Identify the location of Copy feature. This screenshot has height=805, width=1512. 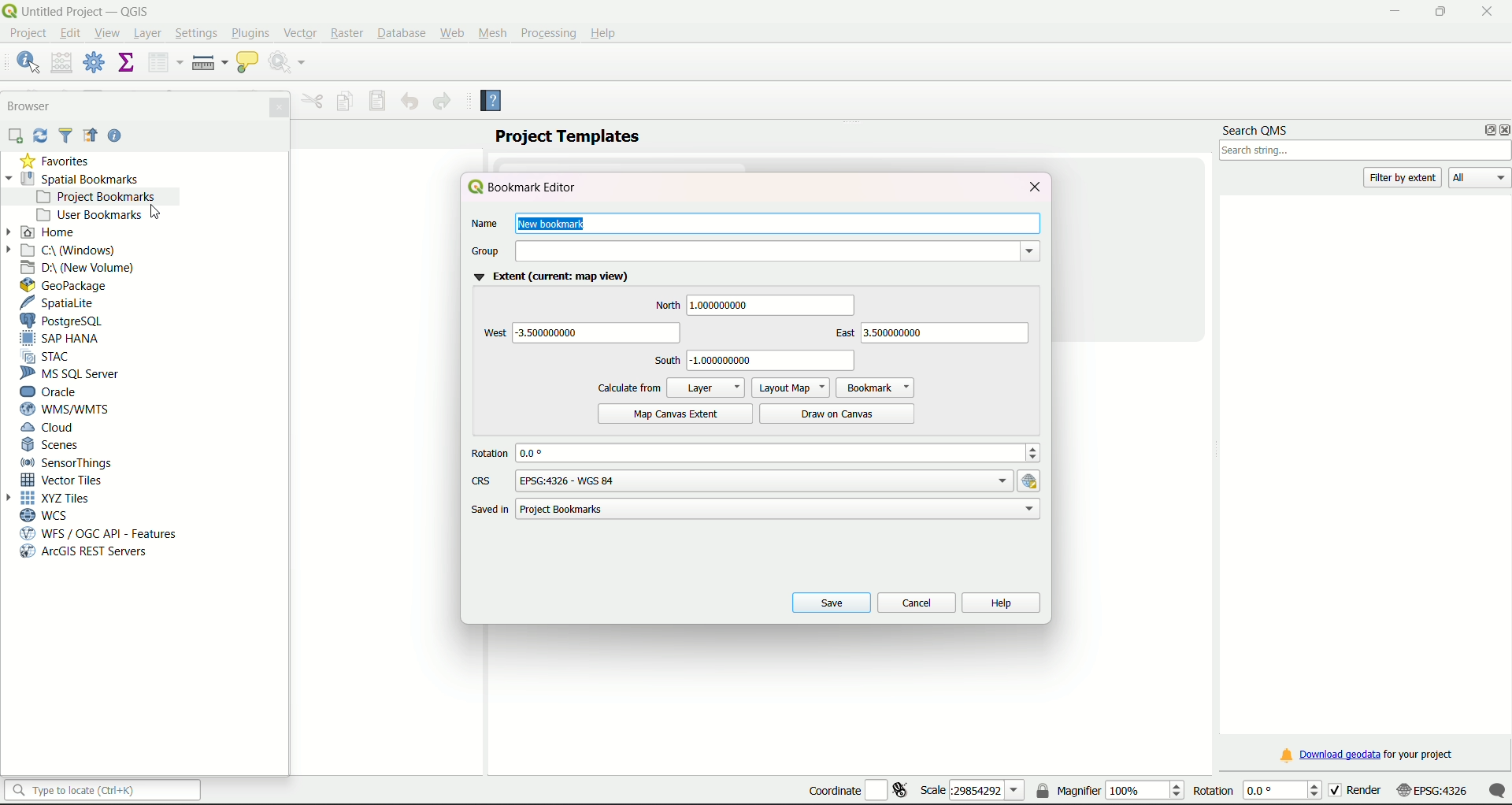
(344, 102).